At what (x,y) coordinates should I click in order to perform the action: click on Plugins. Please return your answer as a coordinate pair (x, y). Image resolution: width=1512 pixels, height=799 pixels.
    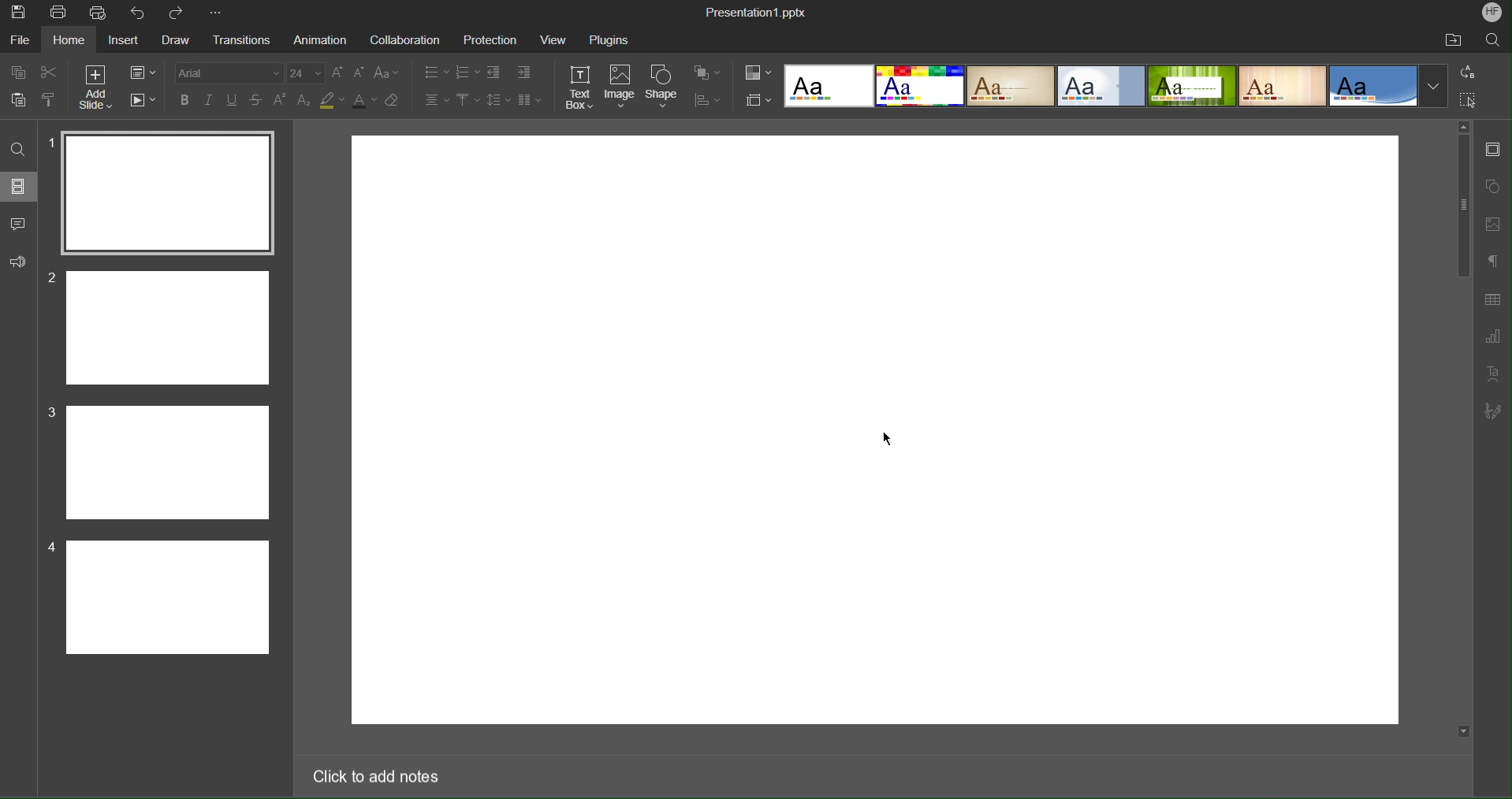
    Looking at the image, I should click on (608, 39).